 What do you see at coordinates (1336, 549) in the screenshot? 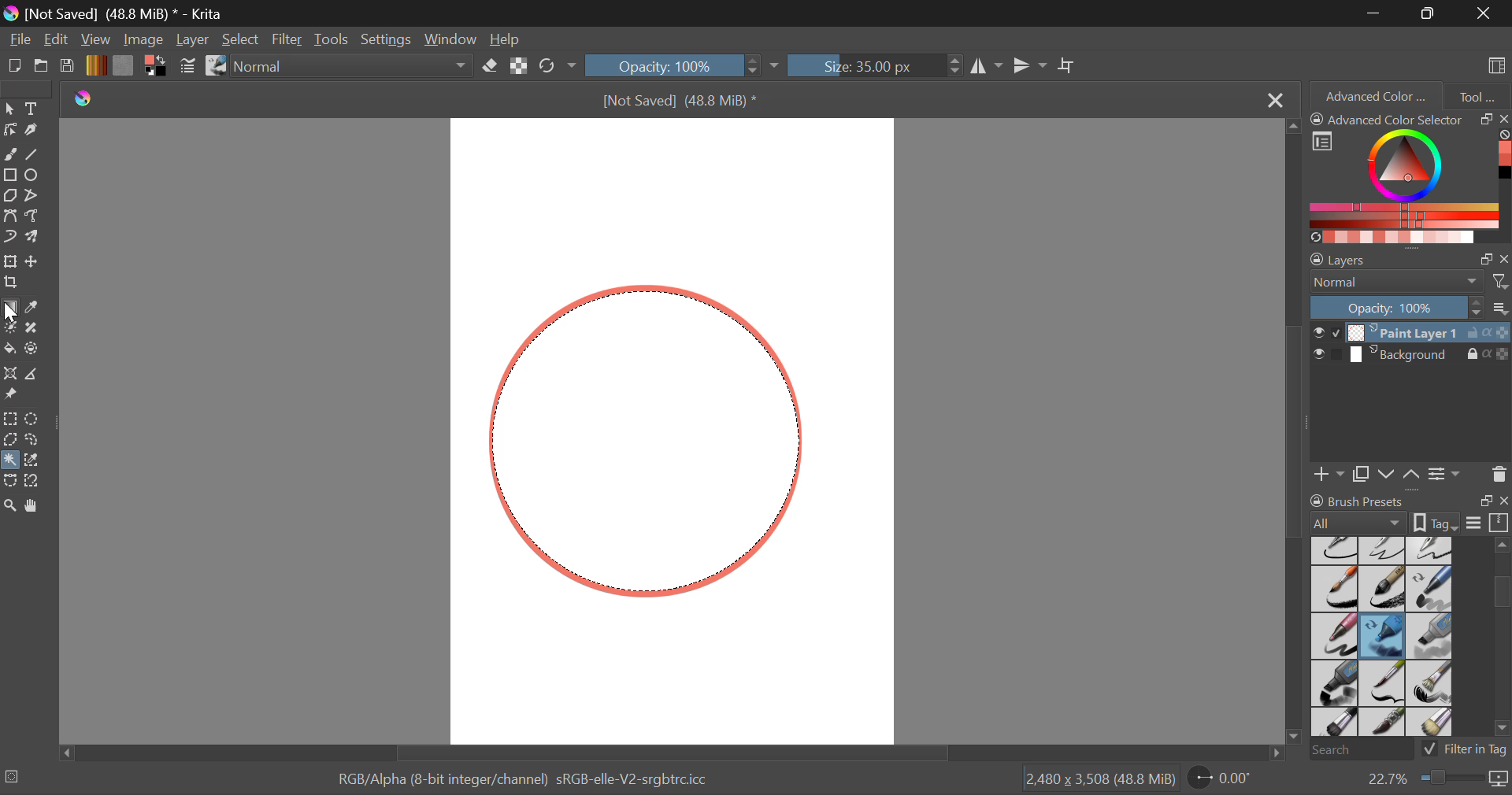
I see `Ink-2 Fineliner` at bounding box center [1336, 549].